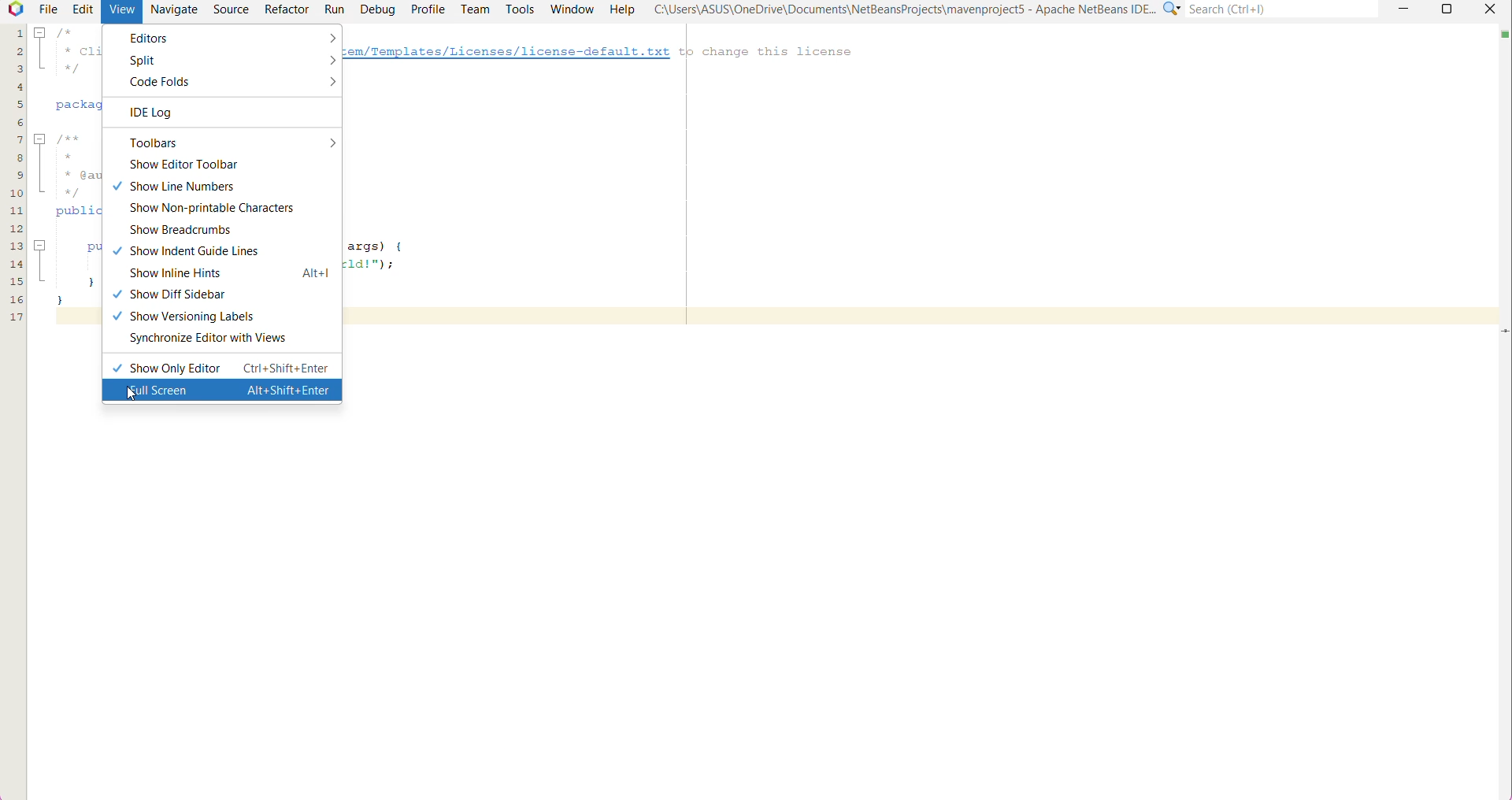 This screenshot has width=1512, height=800. I want to click on Debug, so click(378, 9).